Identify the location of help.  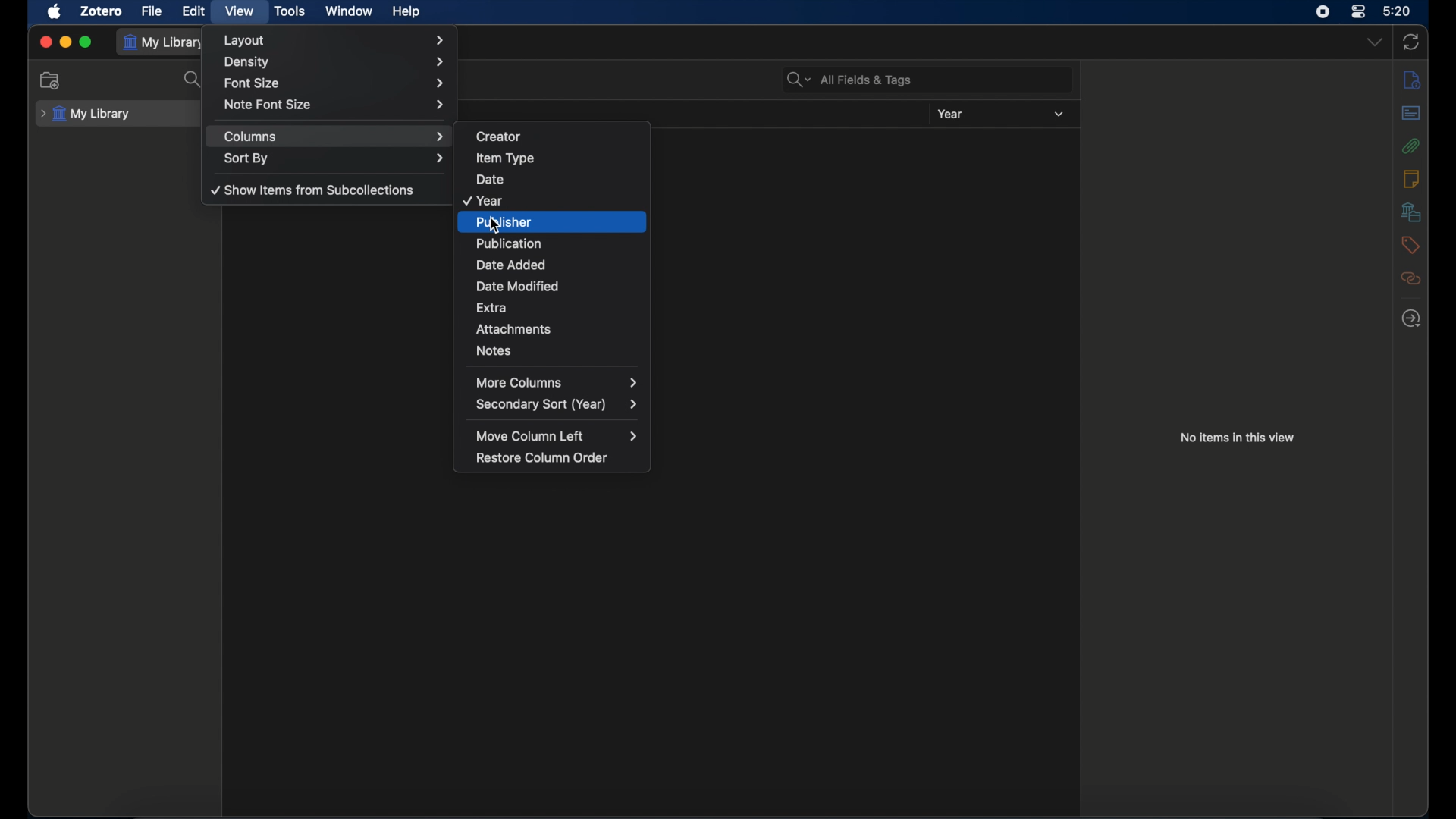
(406, 11).